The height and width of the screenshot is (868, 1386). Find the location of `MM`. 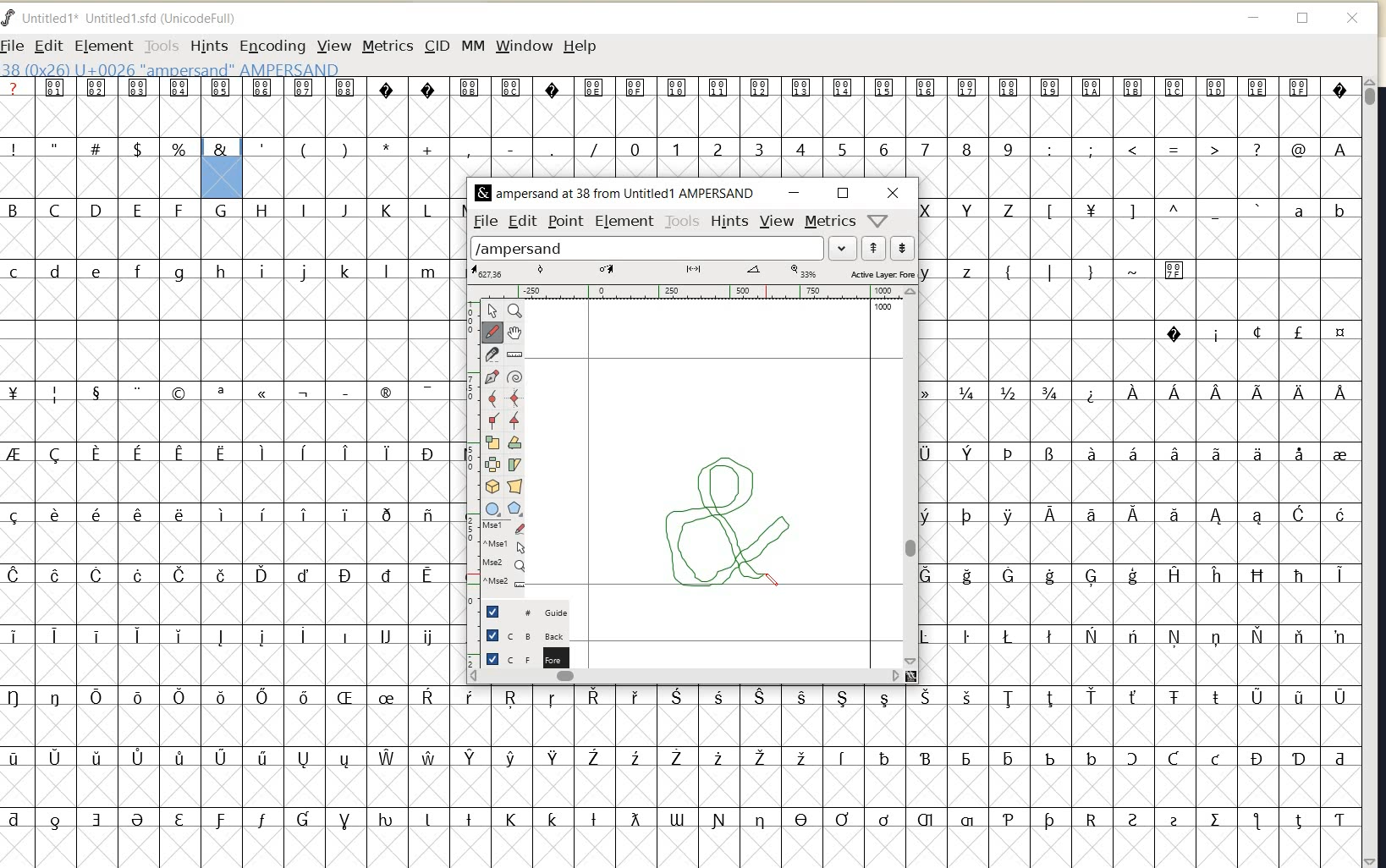

MM is located at coordinates (471, 45).